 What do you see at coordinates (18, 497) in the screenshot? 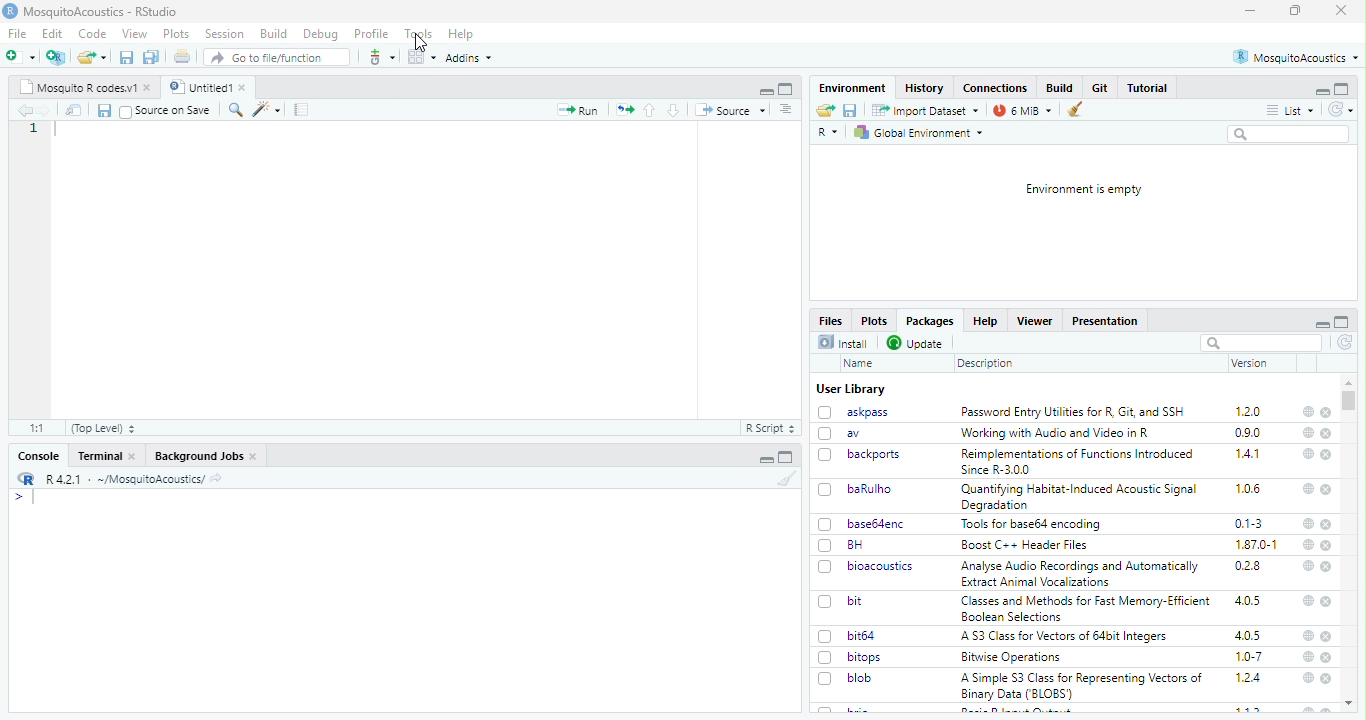
I see `>` at bounding box center [18, 497].